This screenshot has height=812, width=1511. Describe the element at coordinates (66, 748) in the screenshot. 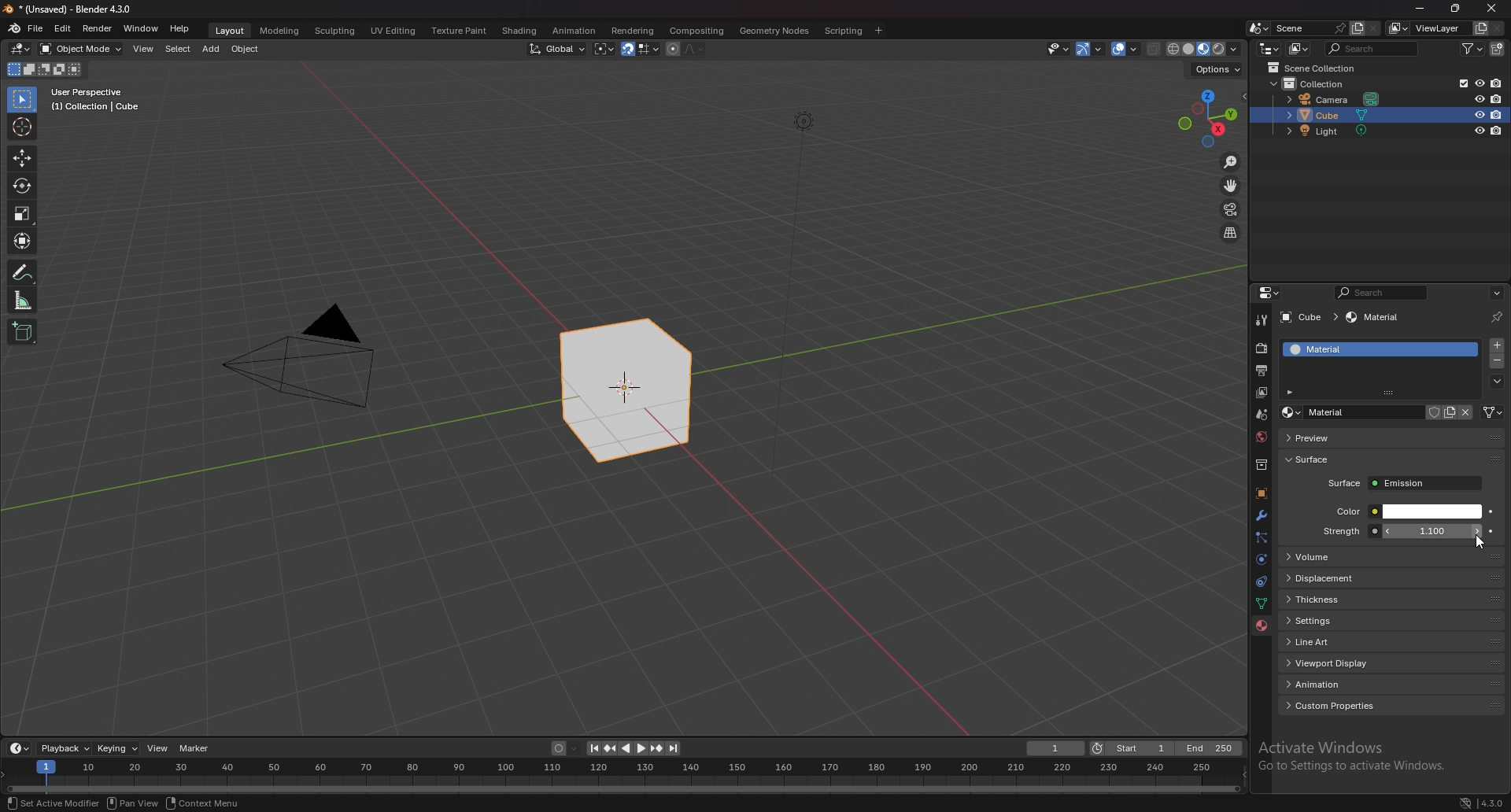

I see `playback` at that location.